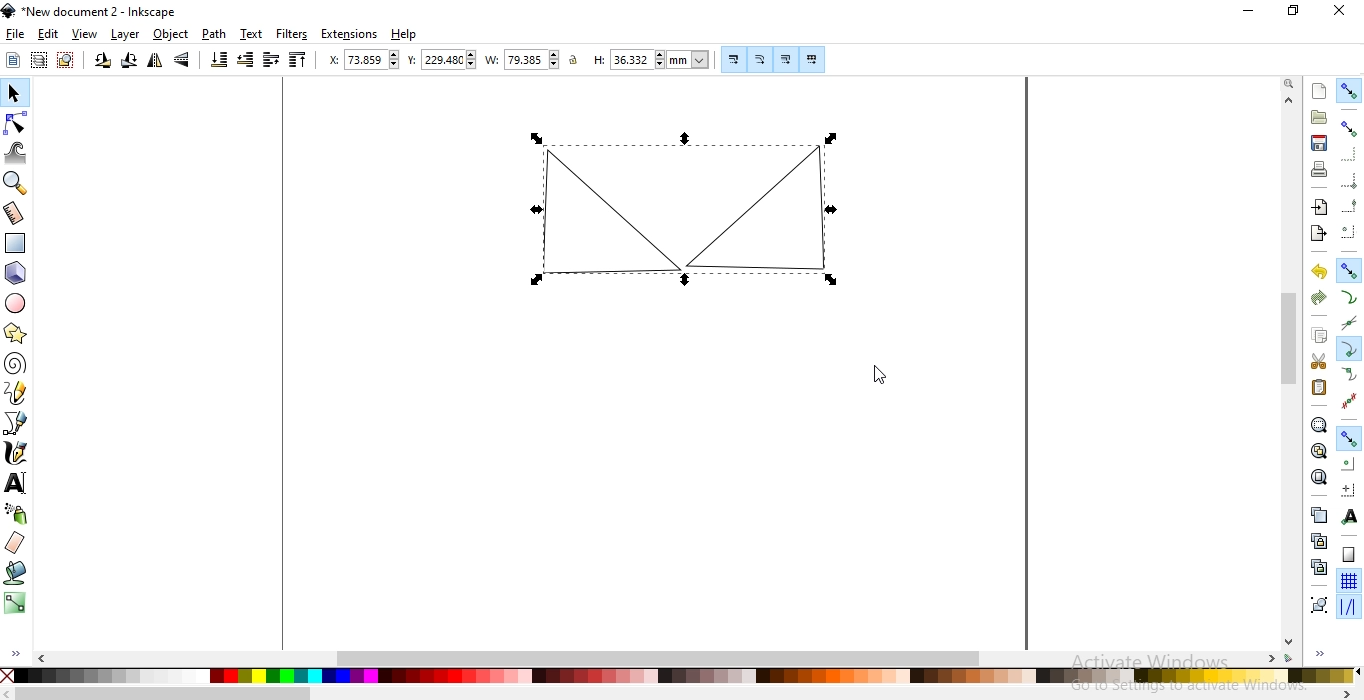  What do you see at coordinates (15, 126) in the screenshot?
I see `edit path by nodes` at bounding box center [15, 126].